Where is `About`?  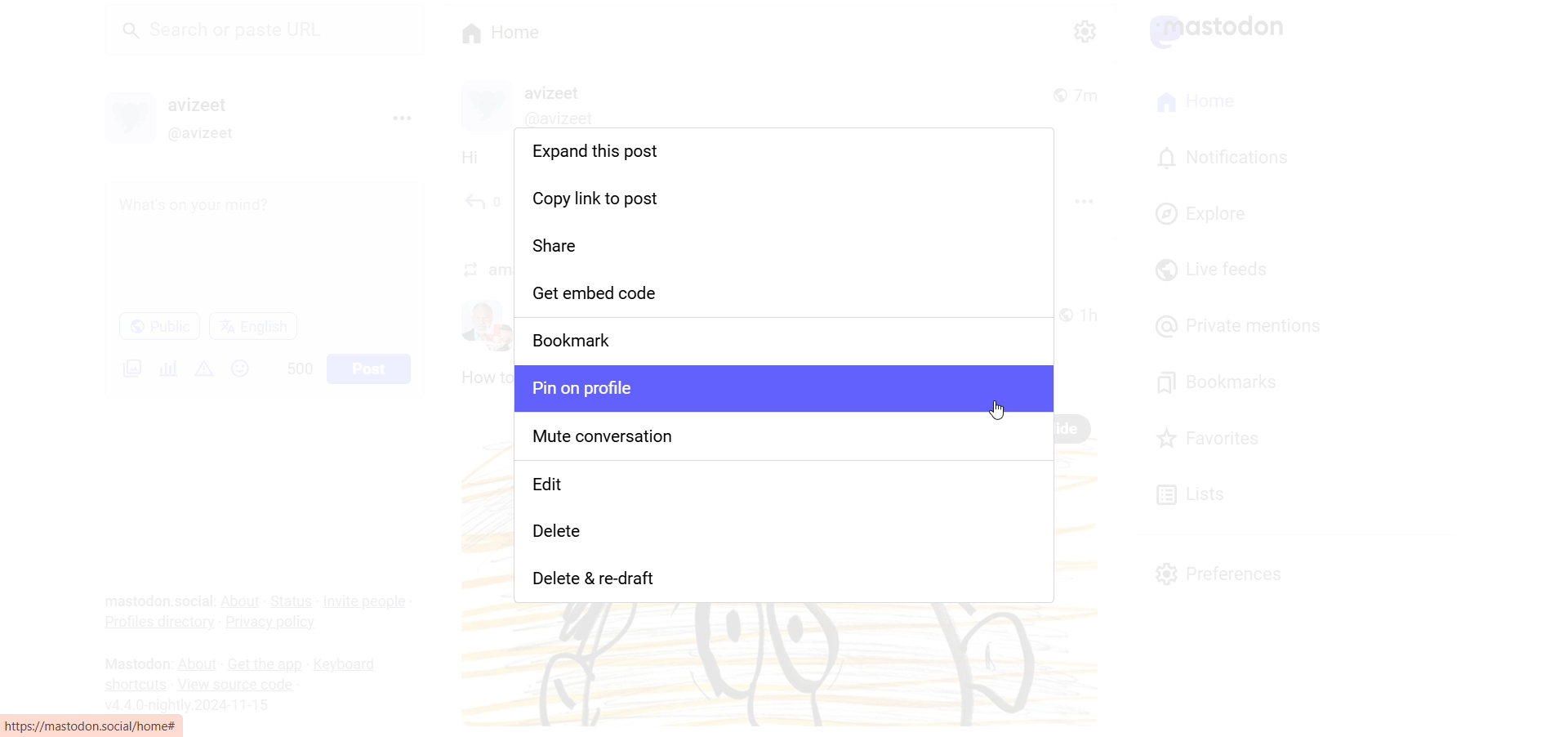
About is located at coordinates (196, 663).